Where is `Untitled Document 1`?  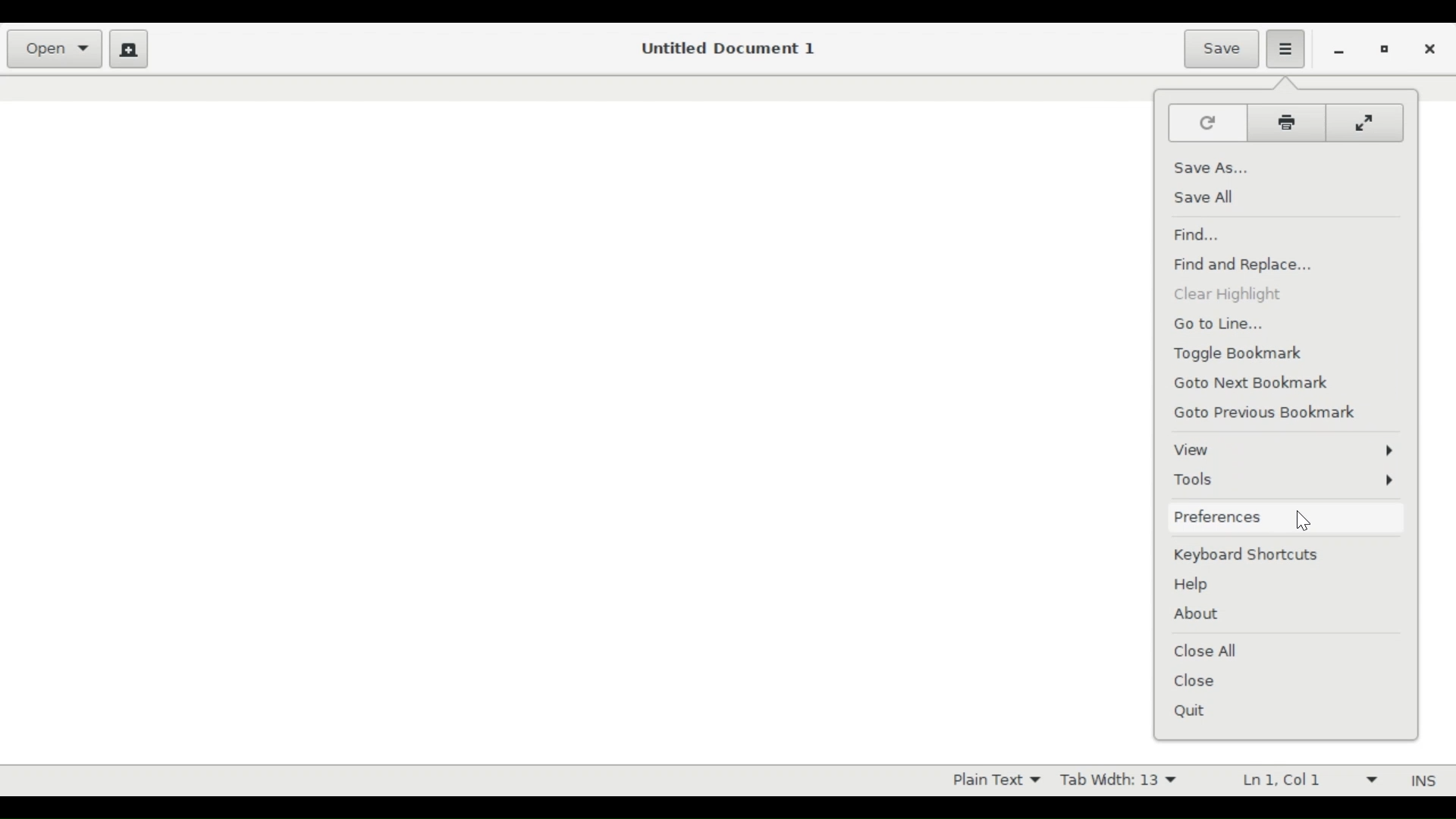
Untitled Document 1 is located at coordinates (731, 49).